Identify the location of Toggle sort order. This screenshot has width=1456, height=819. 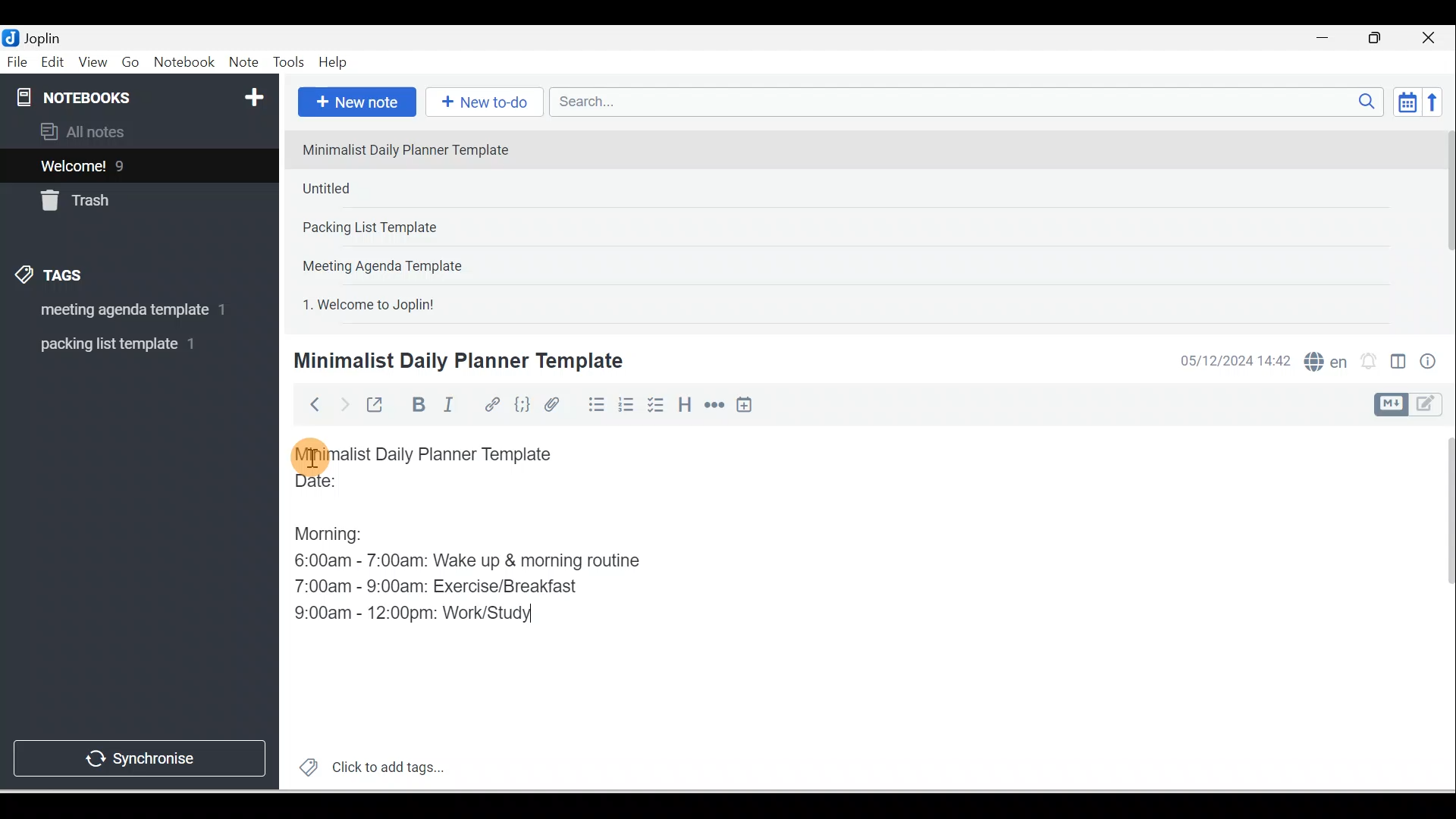
(1407, 101).